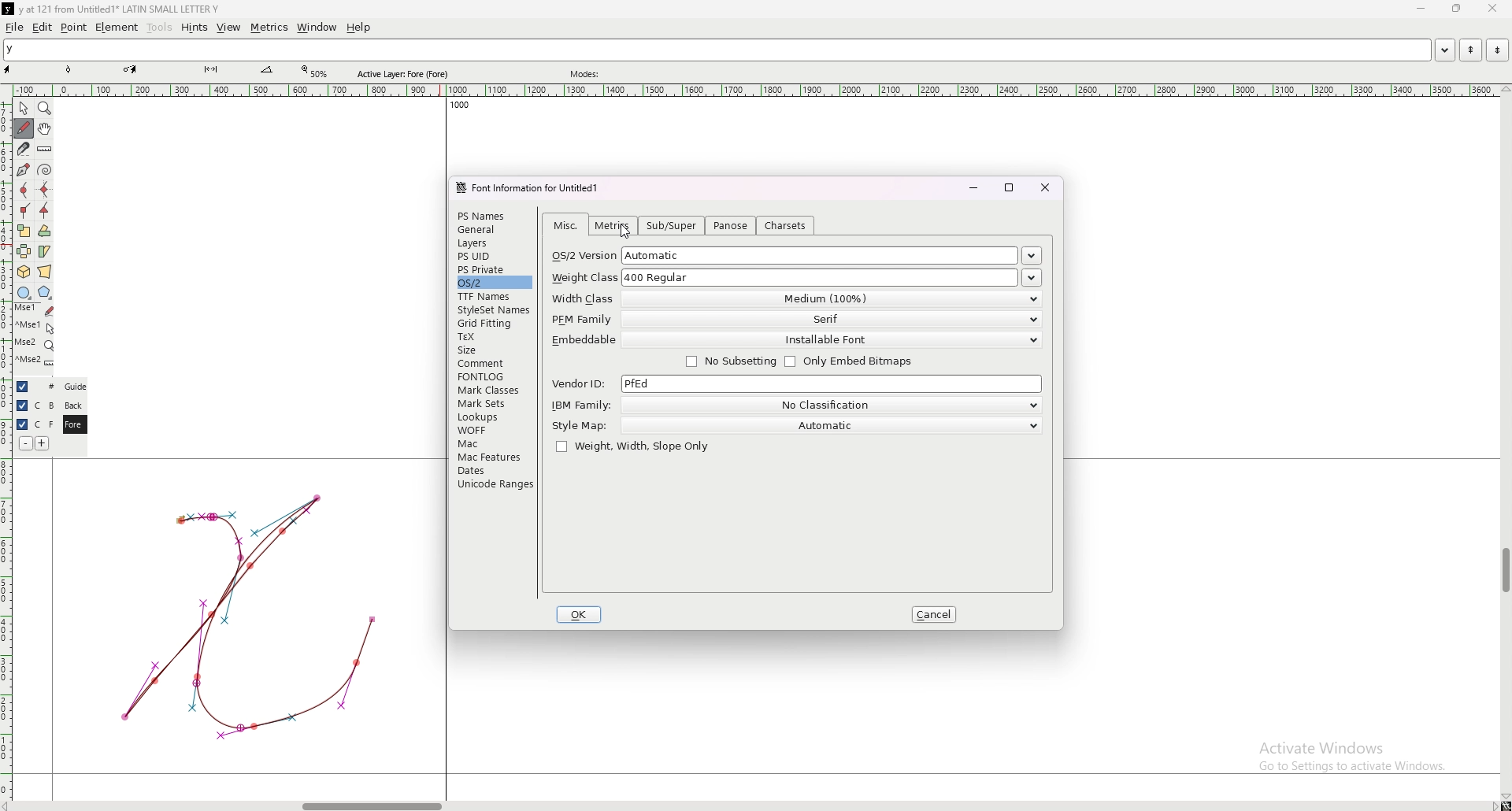 The width and height of the screenshot is (1512, 811). What do you see at coordinates (1505, 571) in the screenshot?
I see `scroll bar vertical` at bounding box center [1505, 571].